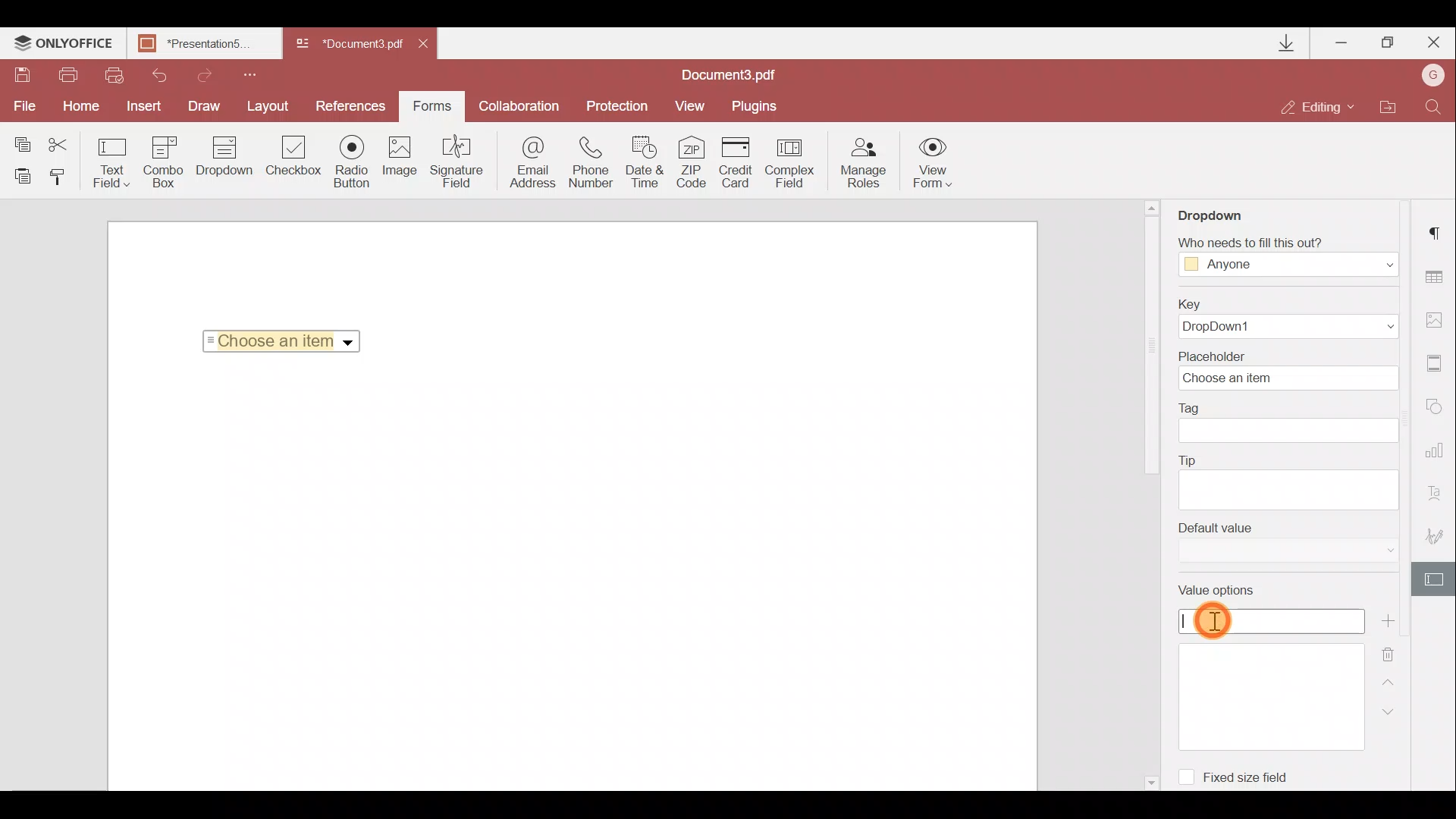 The height and width of the screenshot is (819, 1456). Describe the element at coordinates (197, 73) in the screenshot. I see `Redo` at that location.